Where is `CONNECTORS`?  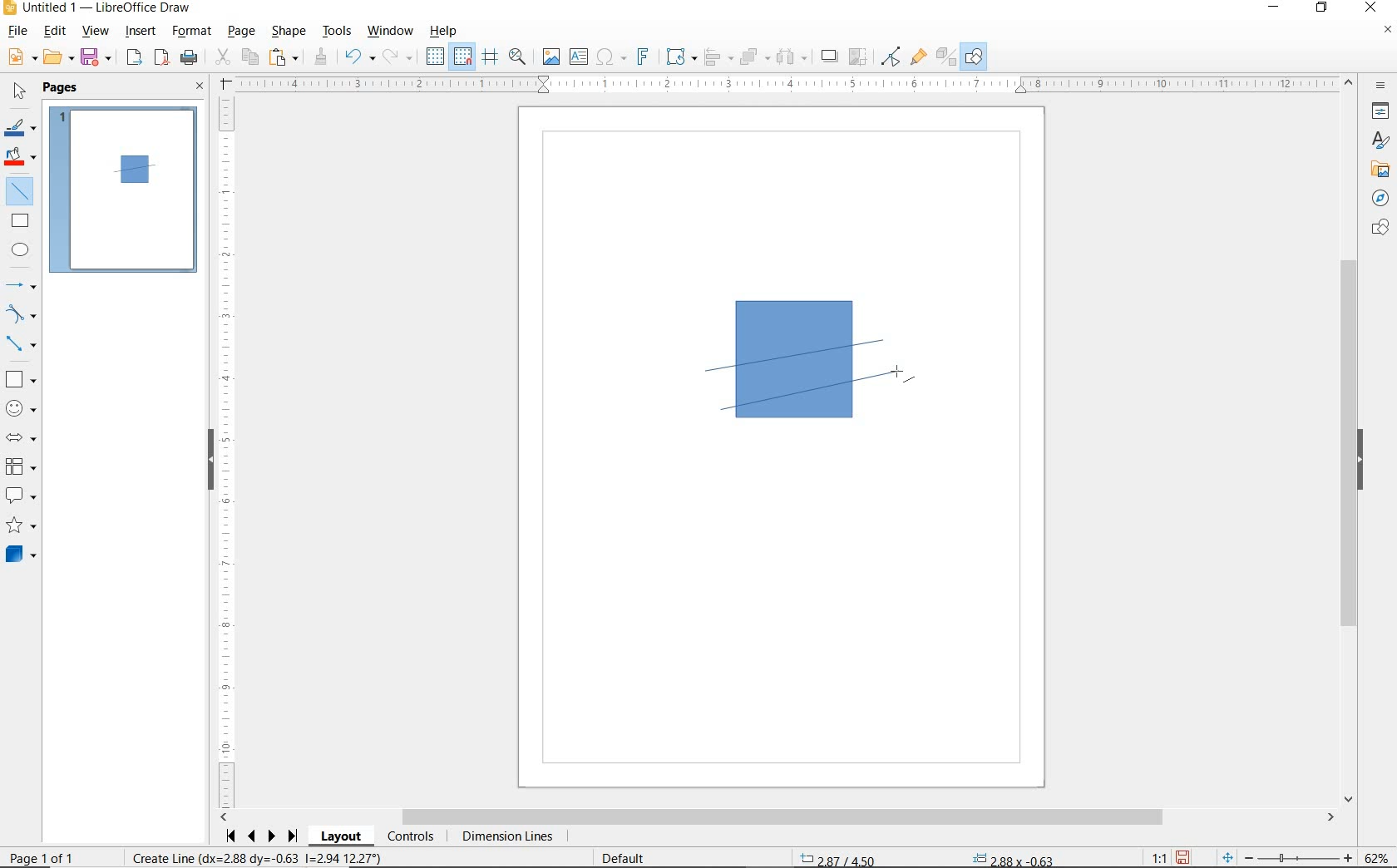
CONNECTORS is located at coordinates (21, 345).